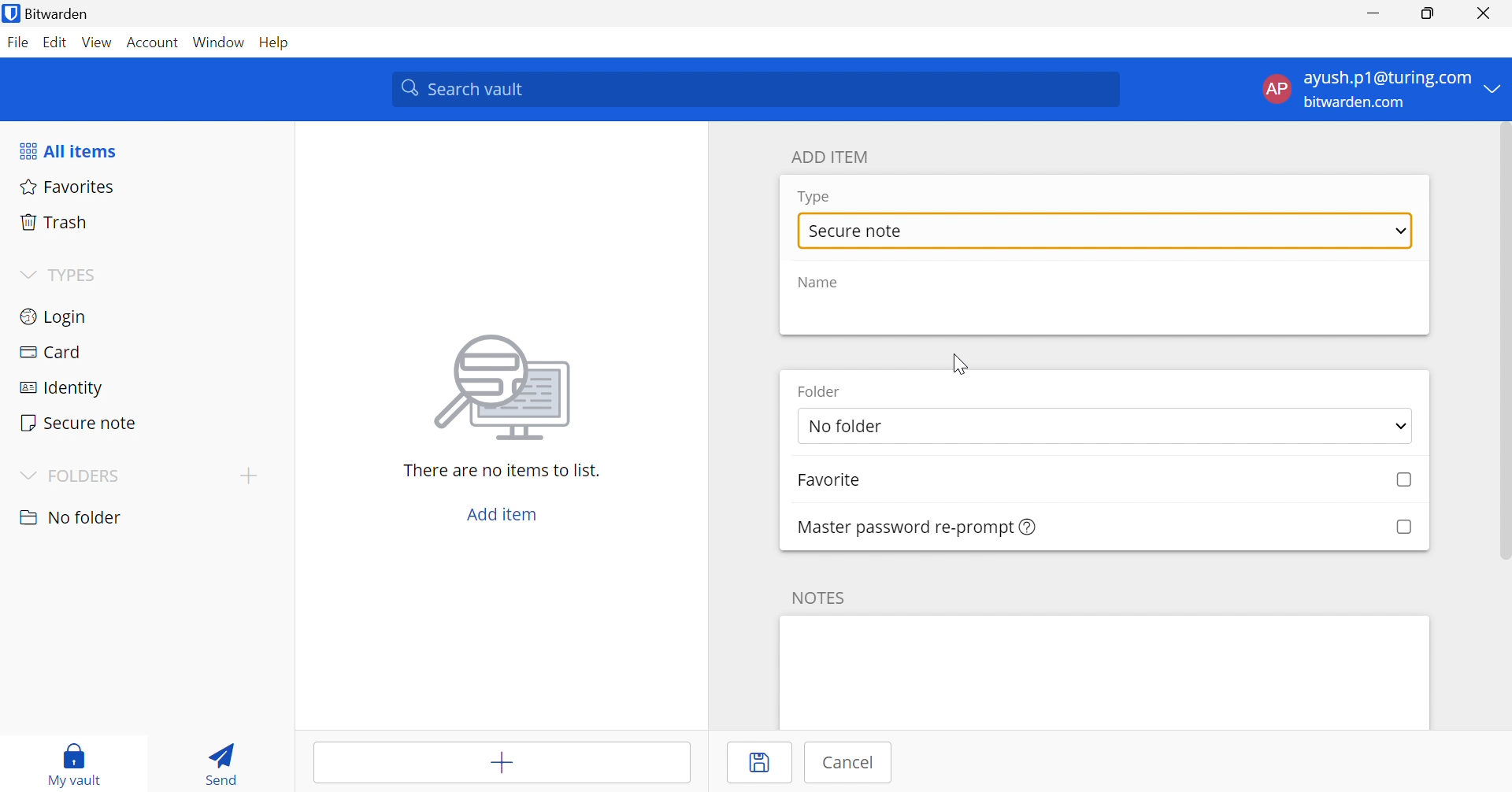 The height and width of the screenshot is (792, 1512). I want to click on FOLDERS, so click(72, 475).